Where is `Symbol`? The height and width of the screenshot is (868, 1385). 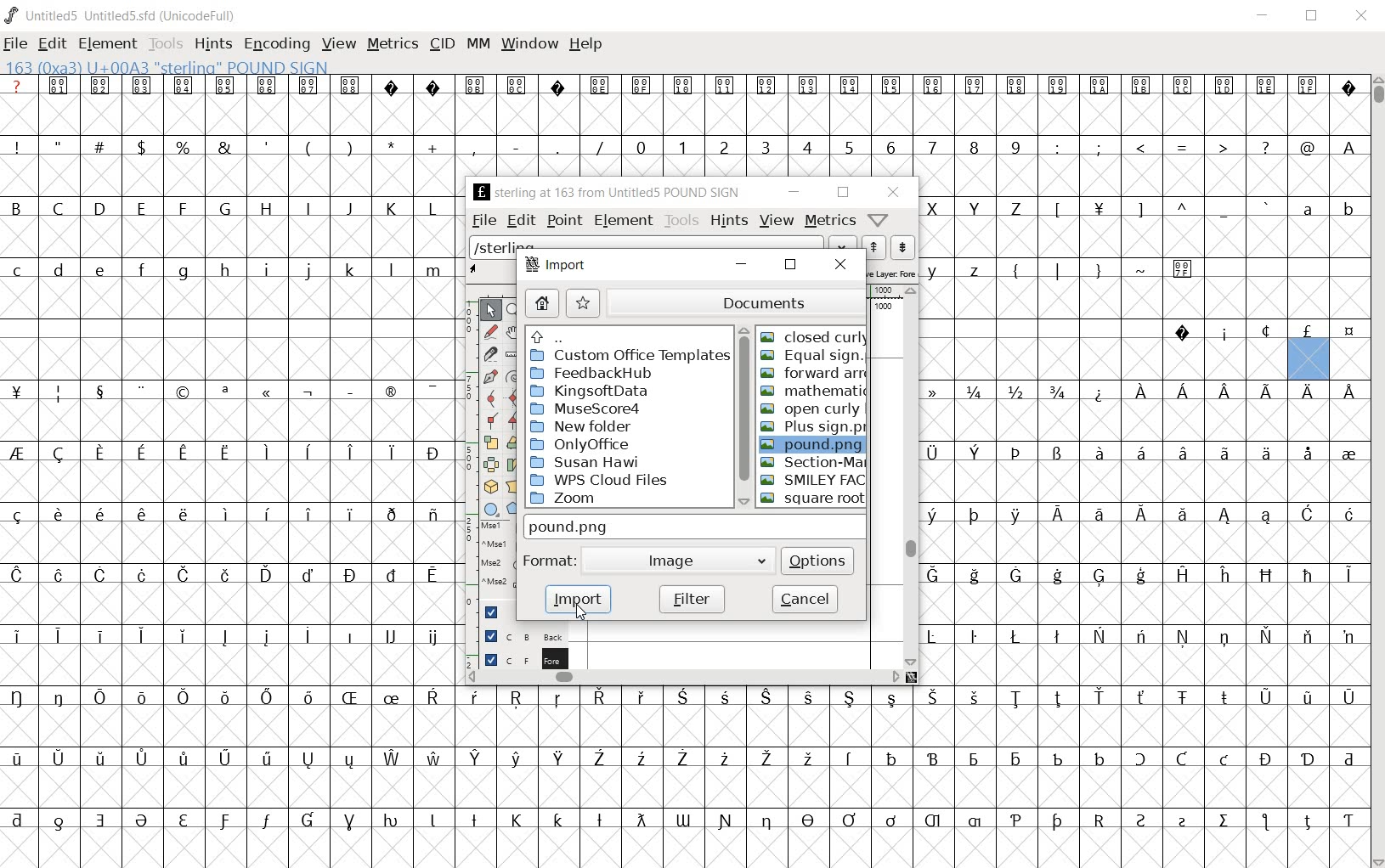 Symbol is located at coordinates (476, 85).